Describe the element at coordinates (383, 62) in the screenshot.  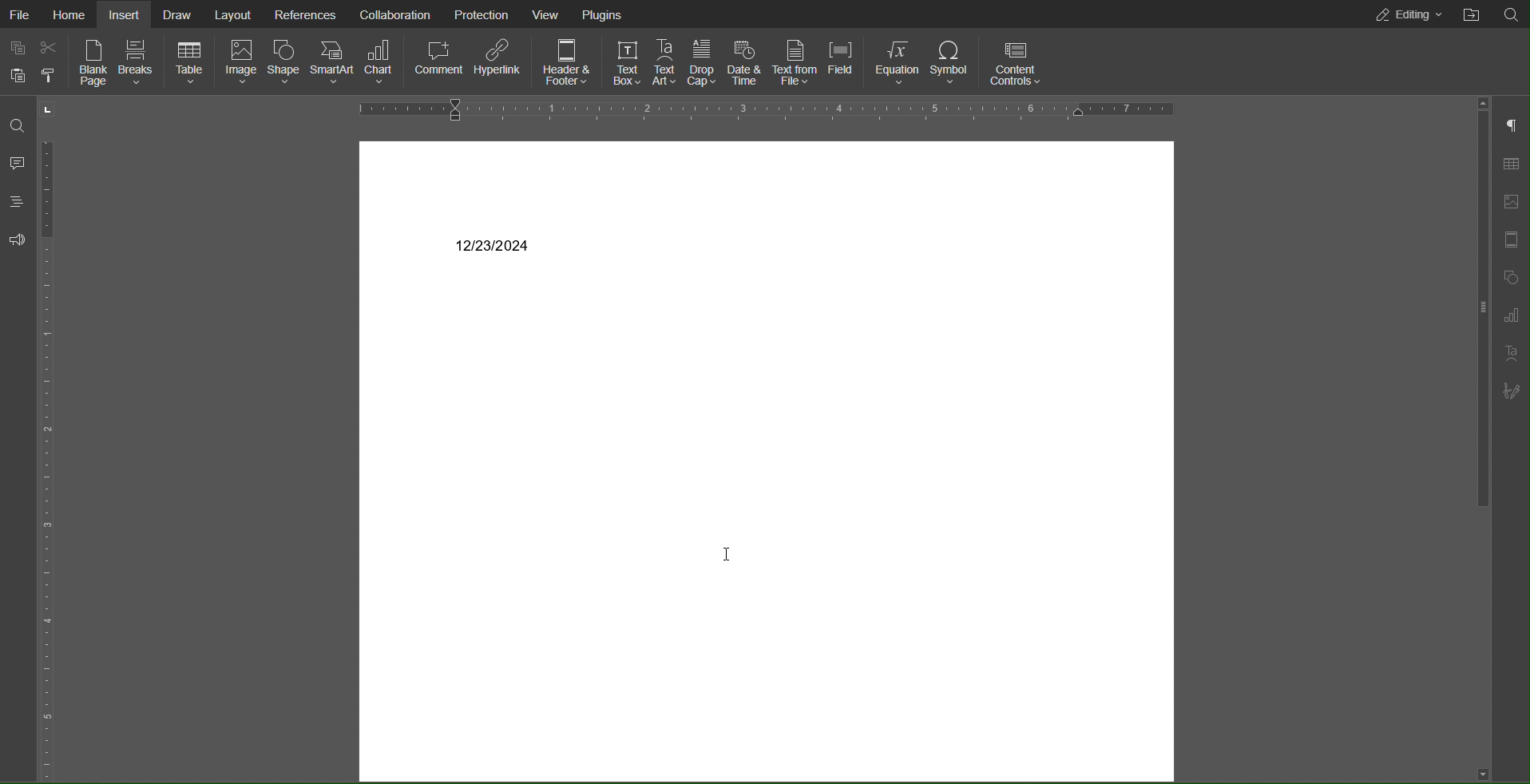
I see `Chart` at that location.